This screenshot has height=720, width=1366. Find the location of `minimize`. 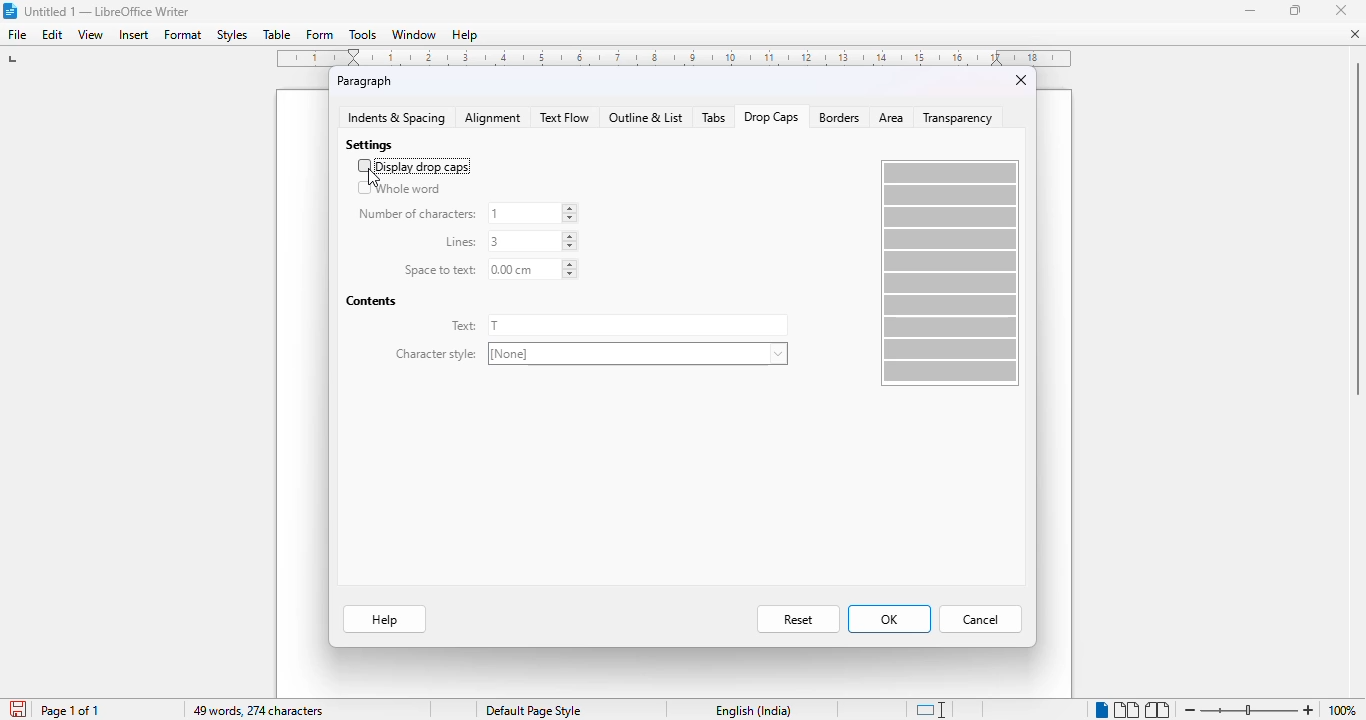

minimize is located at coordinates (1251, 12).